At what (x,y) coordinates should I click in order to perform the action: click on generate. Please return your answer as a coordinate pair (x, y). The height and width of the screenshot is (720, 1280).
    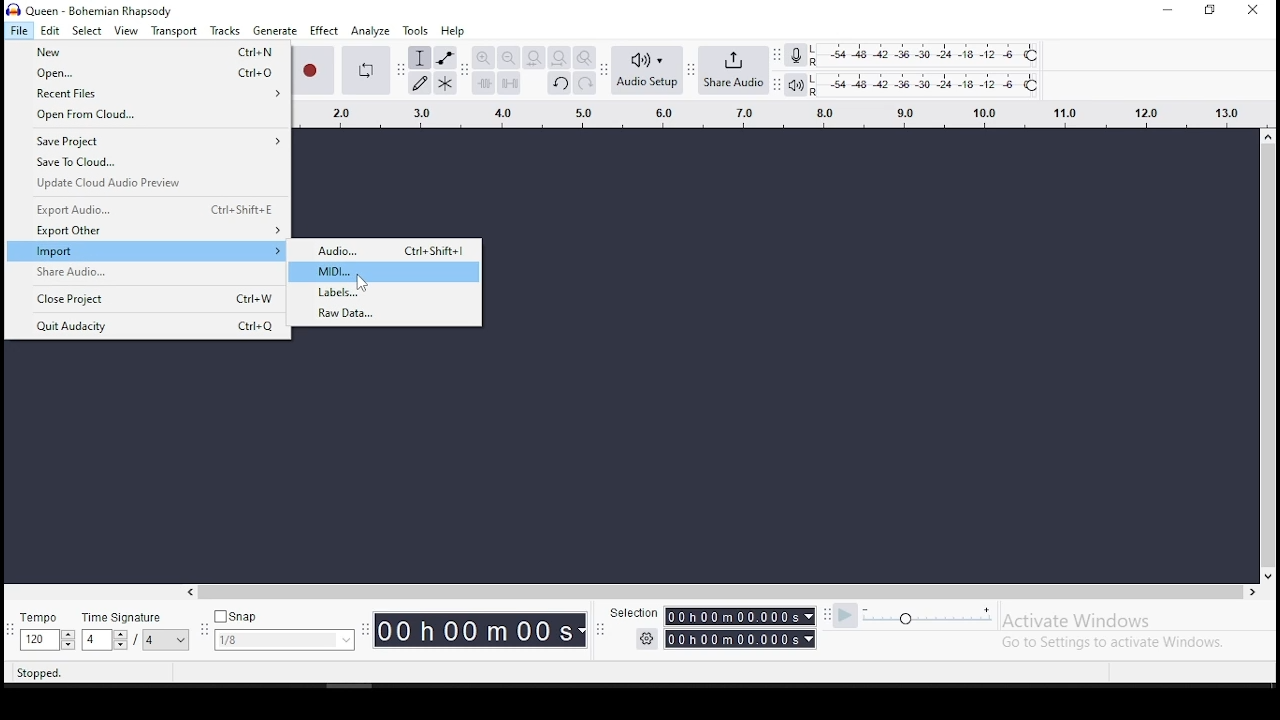
    Looking at the image, I should click on (275, 31).